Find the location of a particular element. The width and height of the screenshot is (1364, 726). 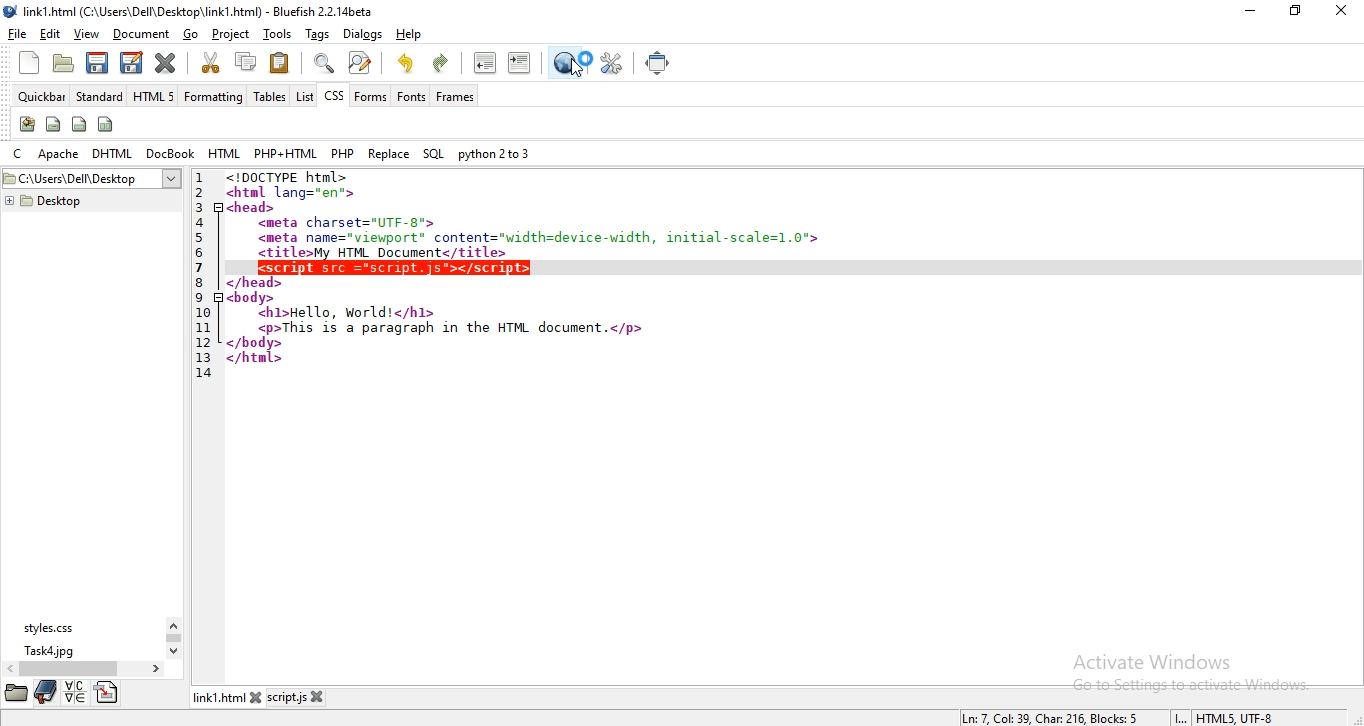

standard is located at coordinates (99, 95).